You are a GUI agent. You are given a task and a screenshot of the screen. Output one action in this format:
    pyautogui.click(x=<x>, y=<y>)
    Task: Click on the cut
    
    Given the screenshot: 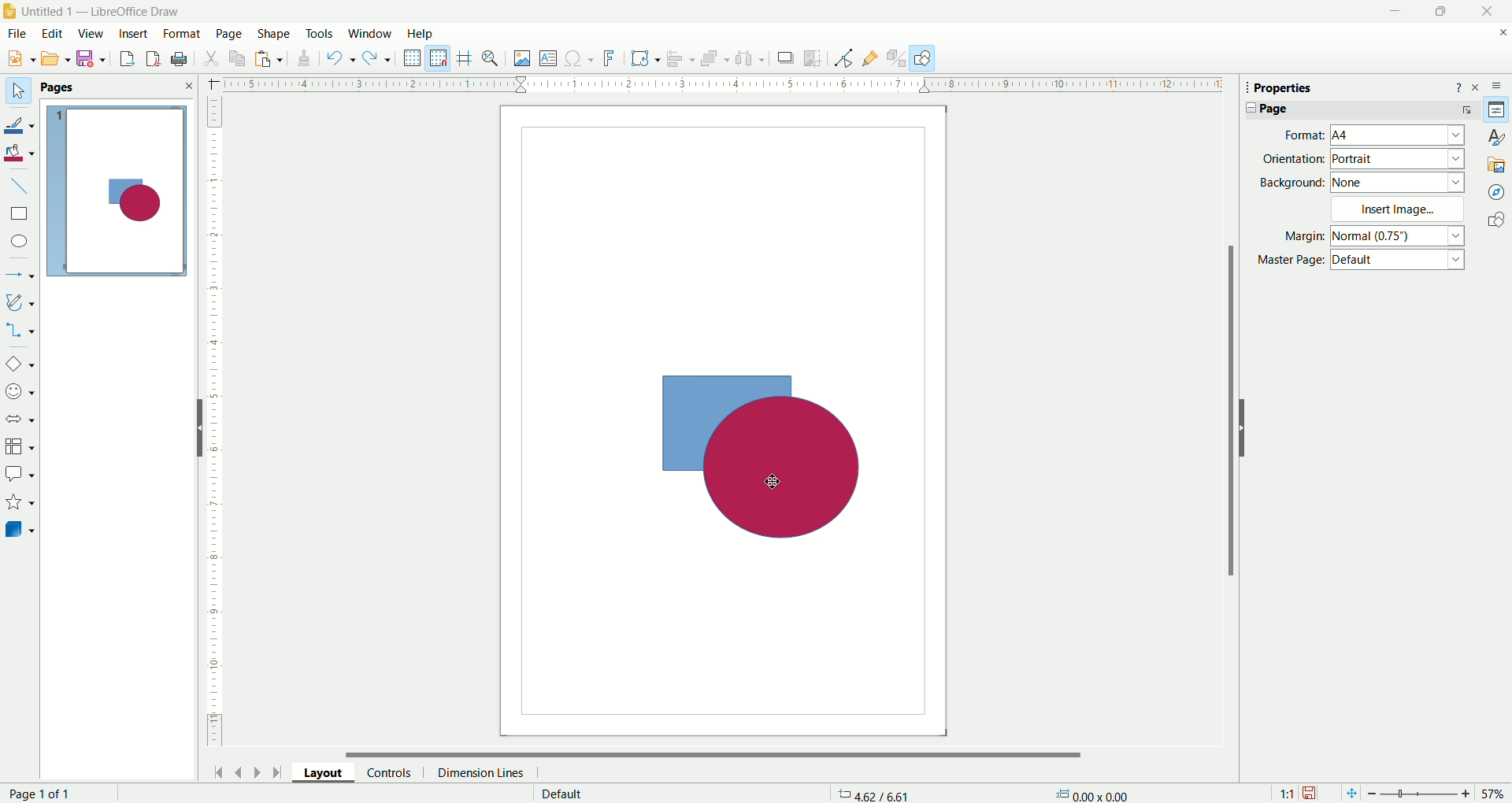 What is the action you would take?
    pyautogui.click(x=211, y=57)
    